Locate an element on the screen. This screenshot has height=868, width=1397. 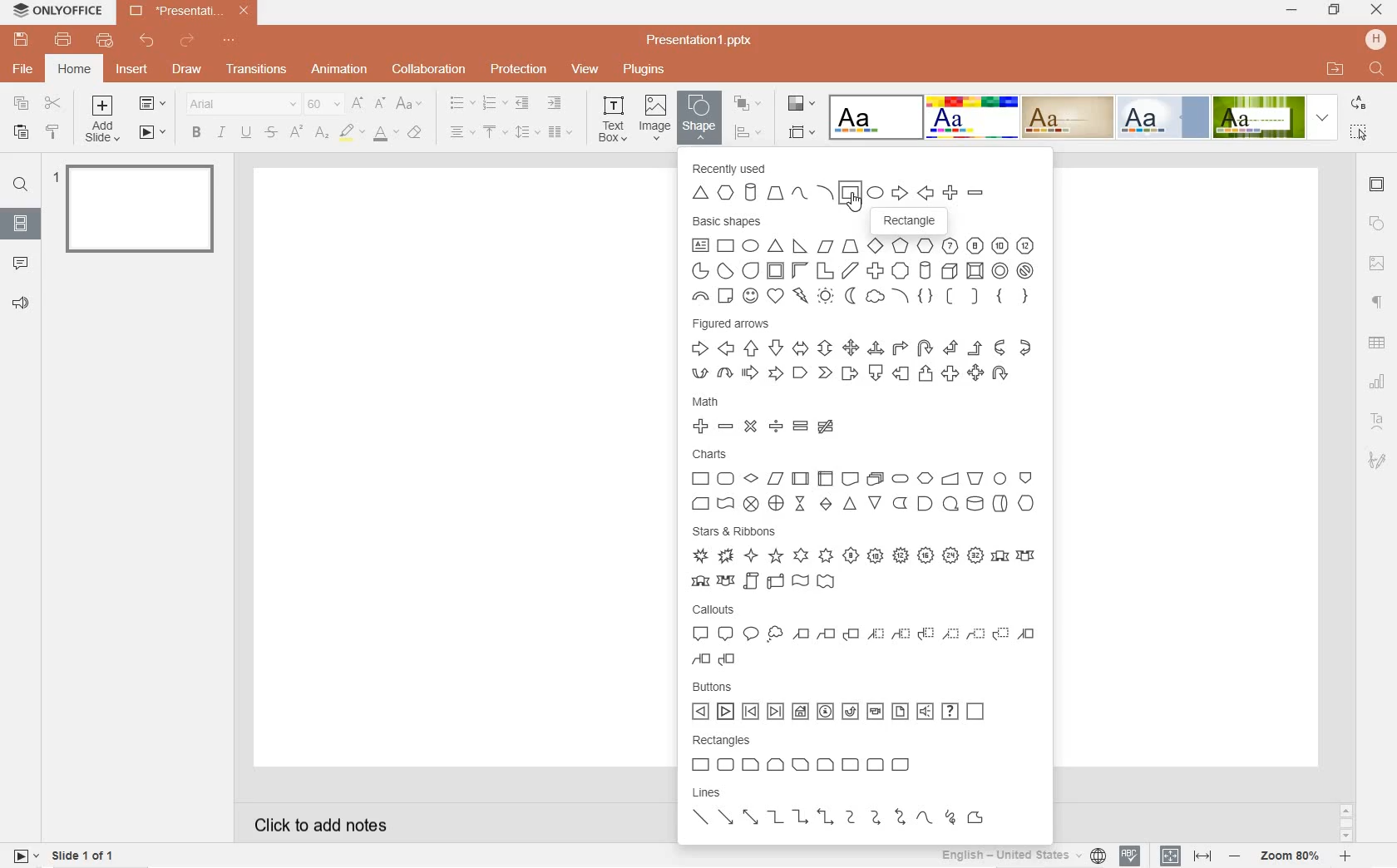
Left right up arrow is located at coordinates (876, 348).